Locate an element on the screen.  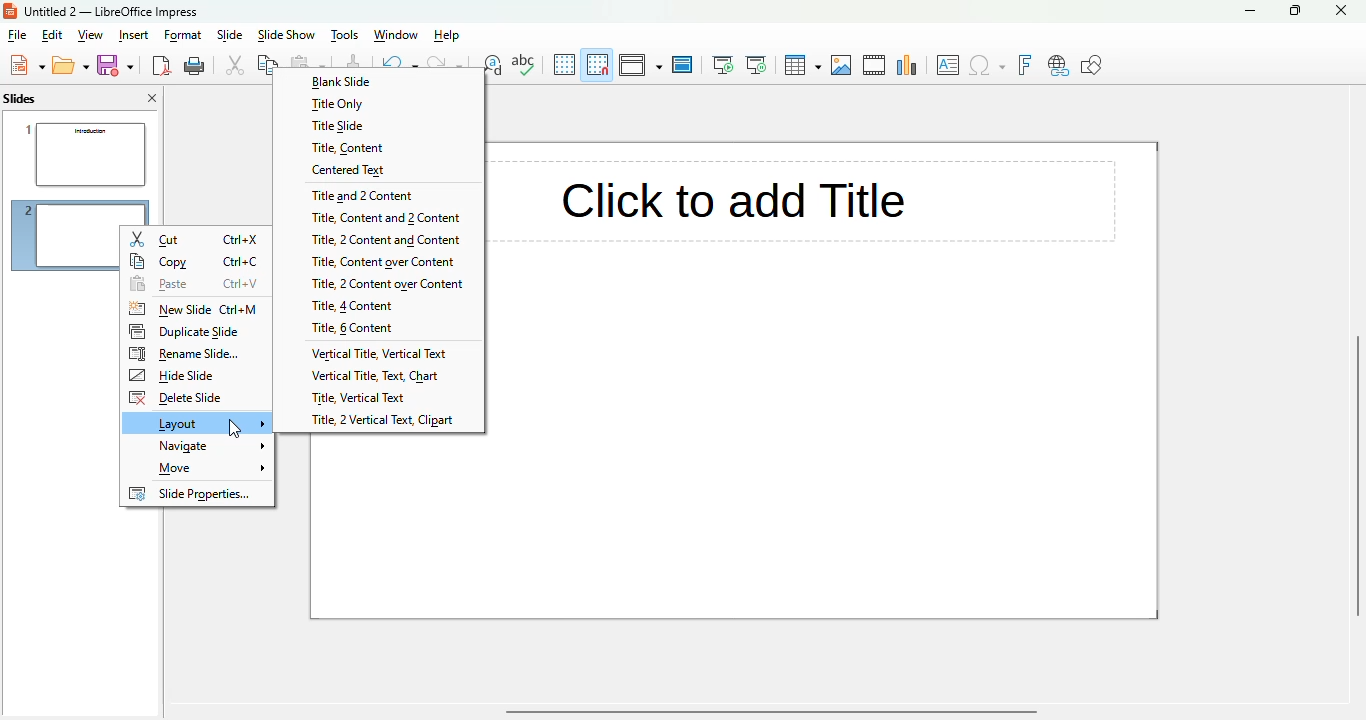
insert special characters is located at coordinates (987, 65).